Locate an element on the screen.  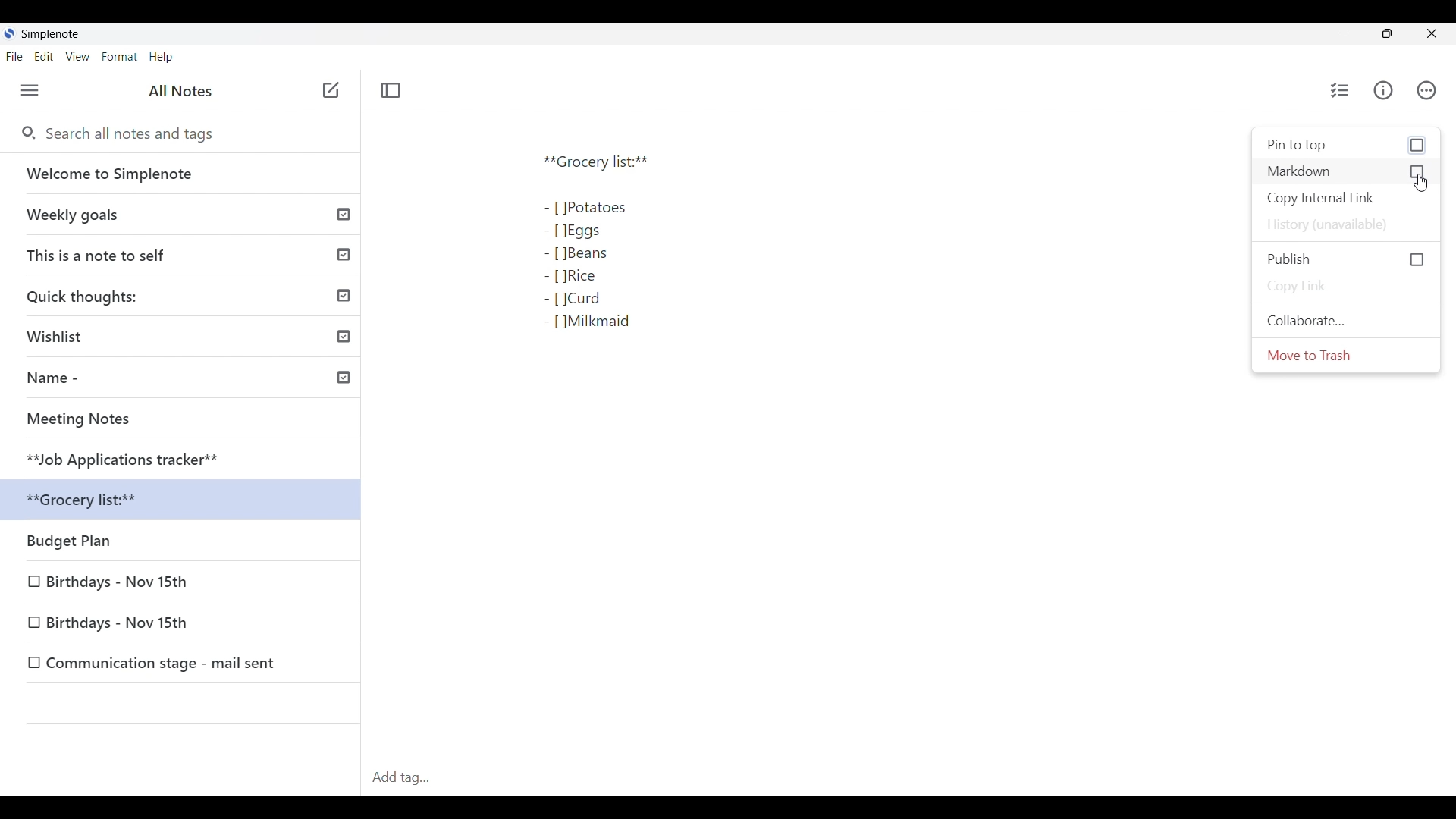
Help is located at coordinates (162, 58).